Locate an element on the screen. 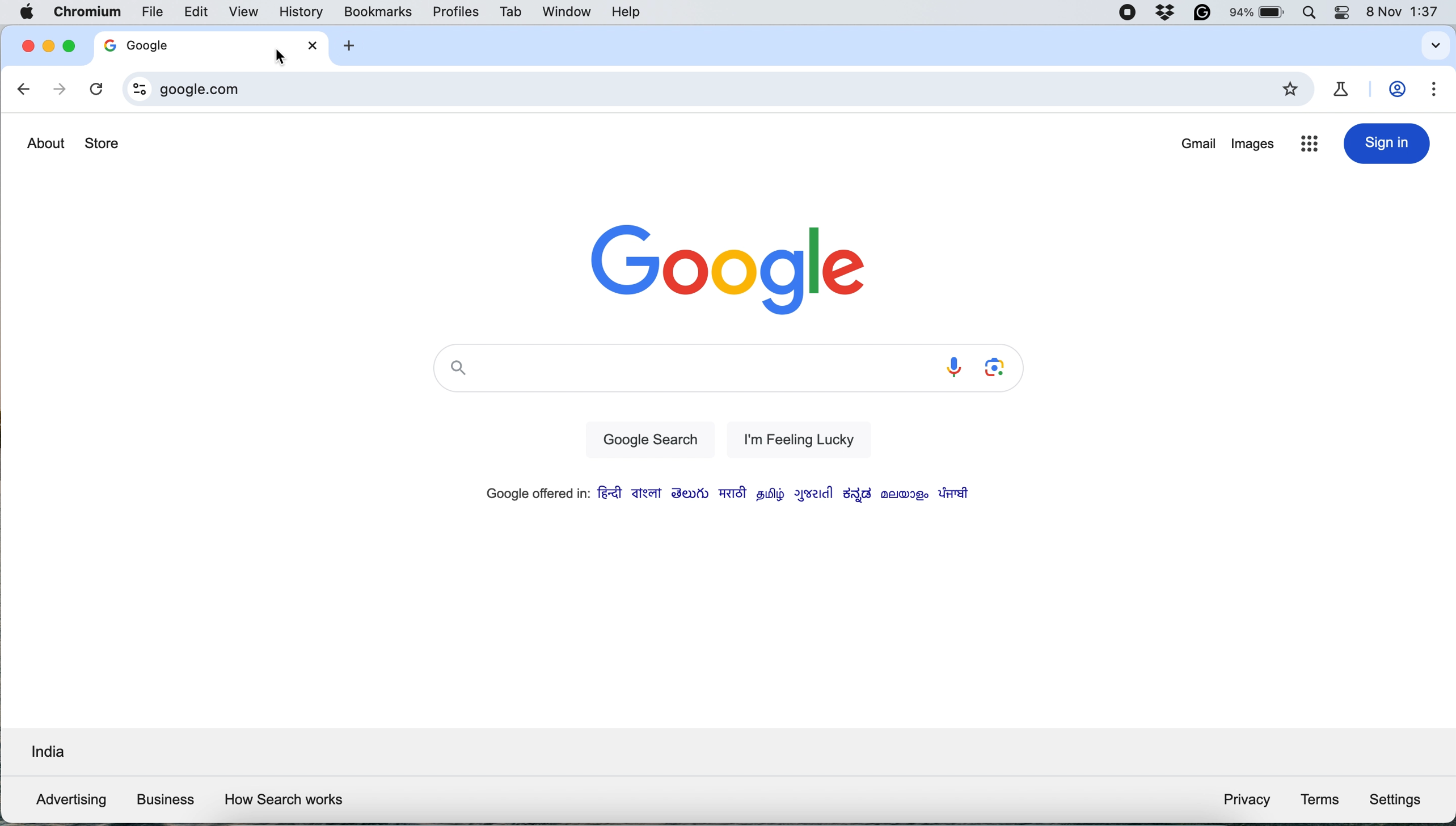 Image resolution: width=1456 pixels, height=826 pixels. minimise is located at coordinates (47, 49).